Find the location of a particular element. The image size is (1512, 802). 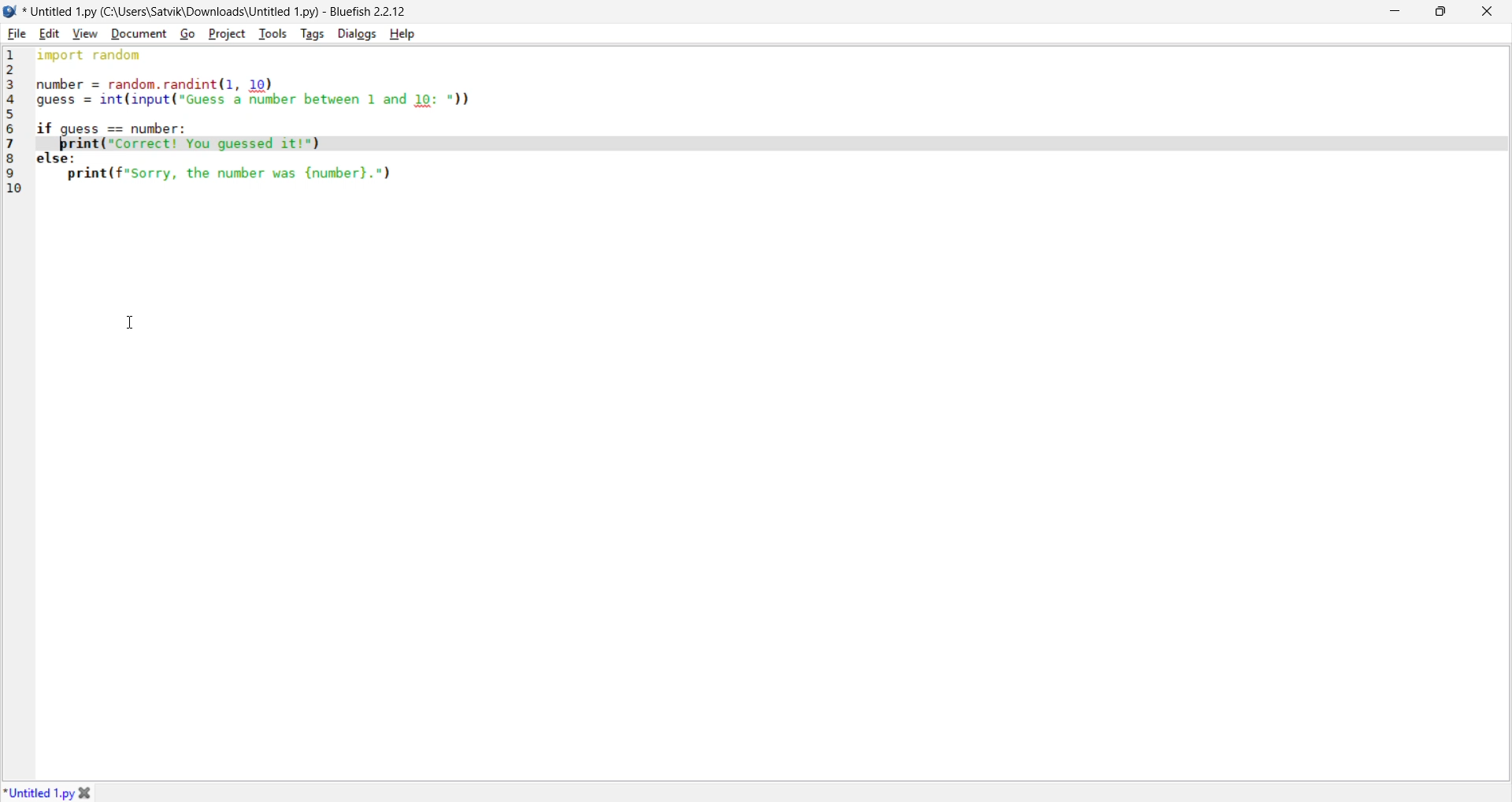

dialogs is located at coordinates (356, 34).